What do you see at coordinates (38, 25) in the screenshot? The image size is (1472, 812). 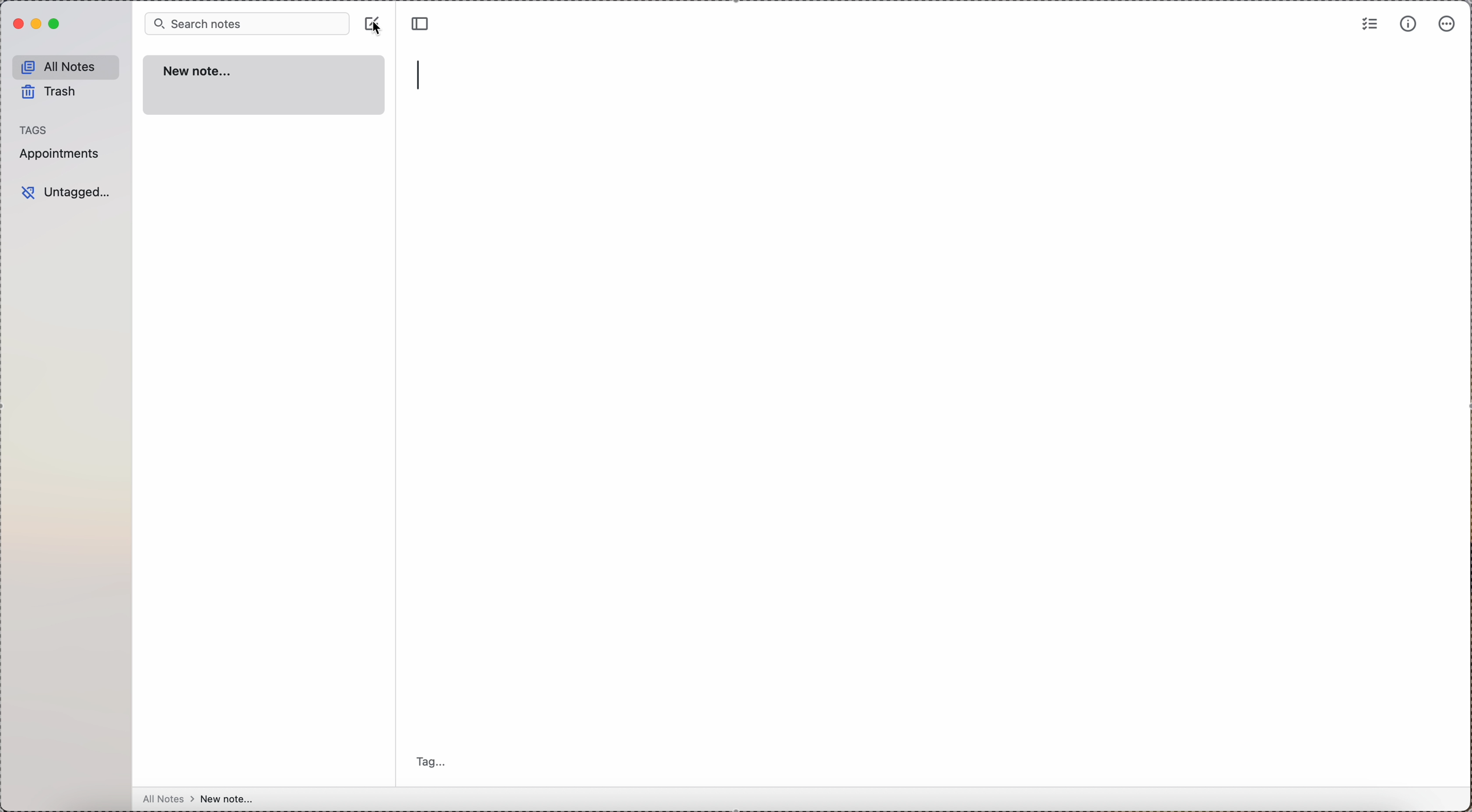 I see `minimize Simplenote` at bounding box center [38, 25].